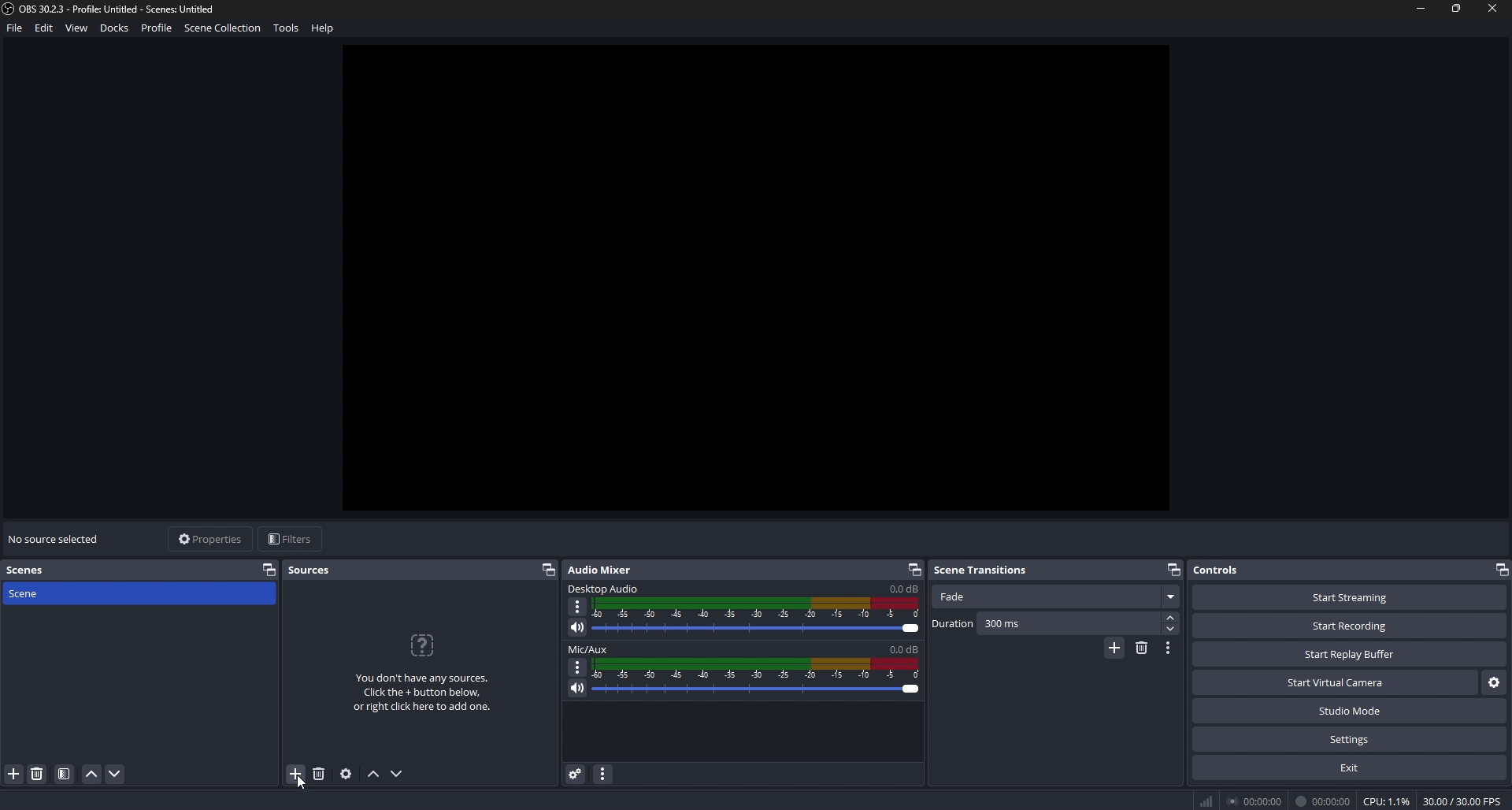 The image size is (1512, 810). I want to click on help, so click(323, 28).